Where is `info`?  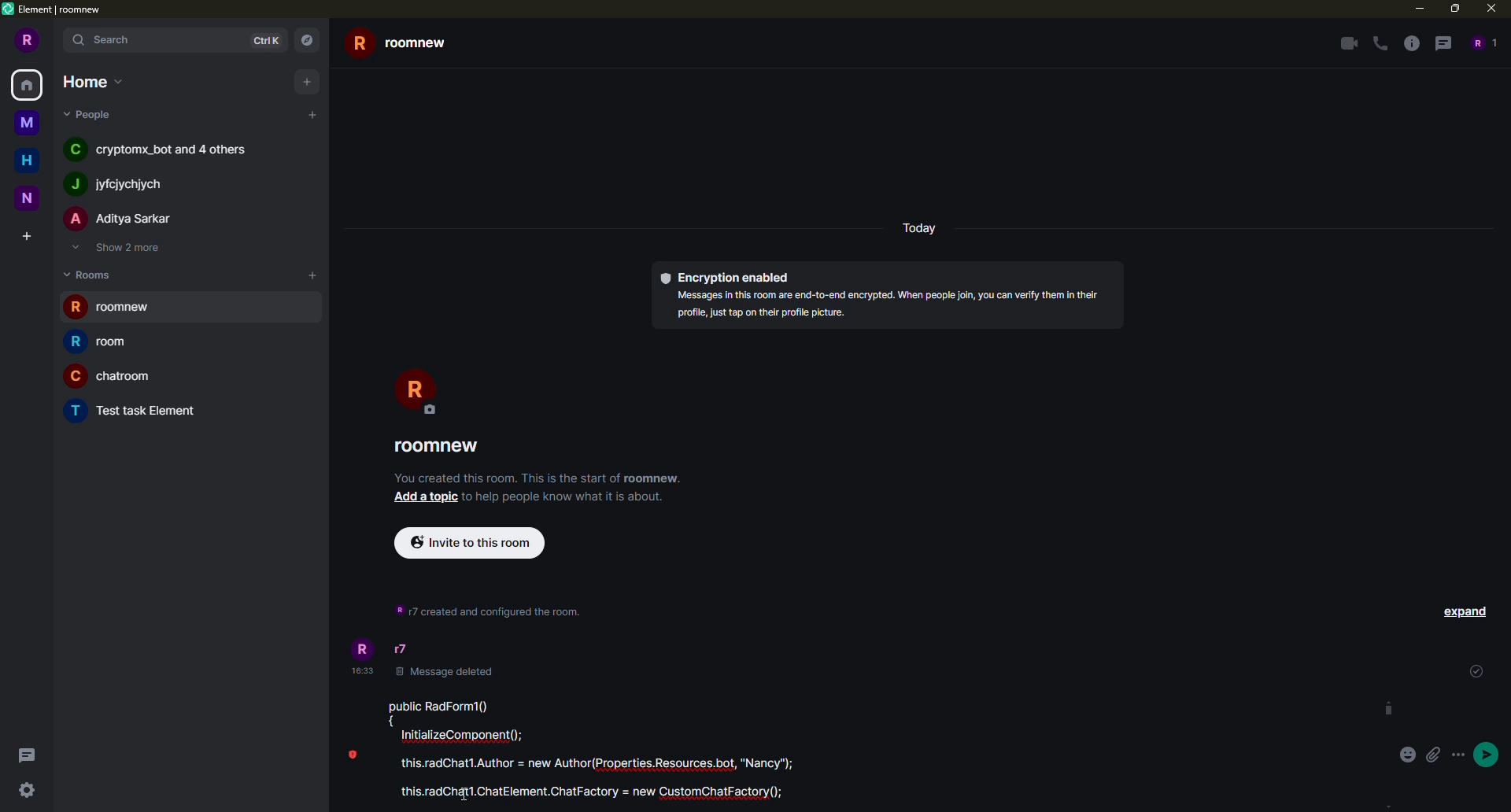 info is located at coordinates (1410, 43).